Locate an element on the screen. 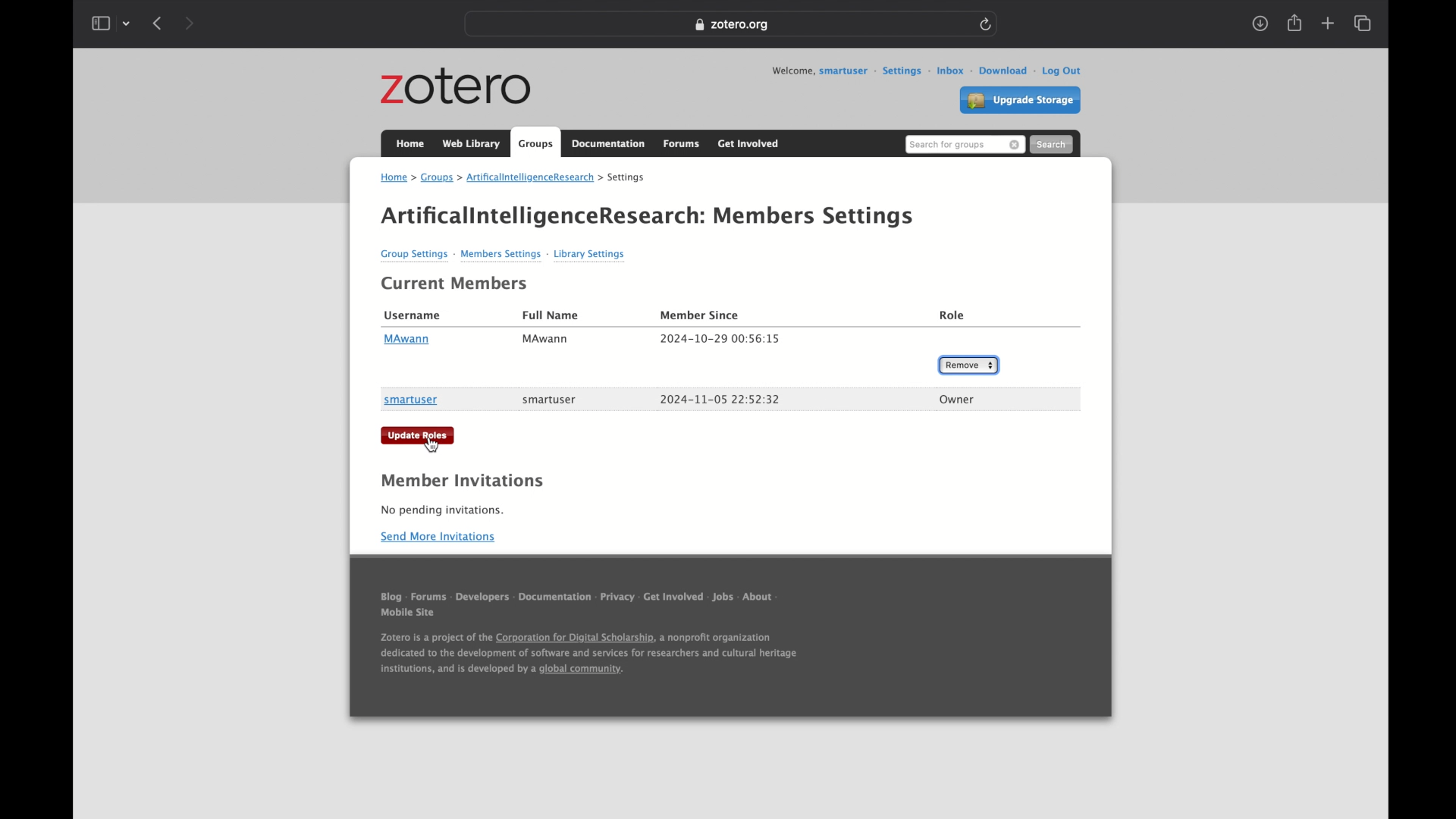  groups is located at coordinates (438, 178).